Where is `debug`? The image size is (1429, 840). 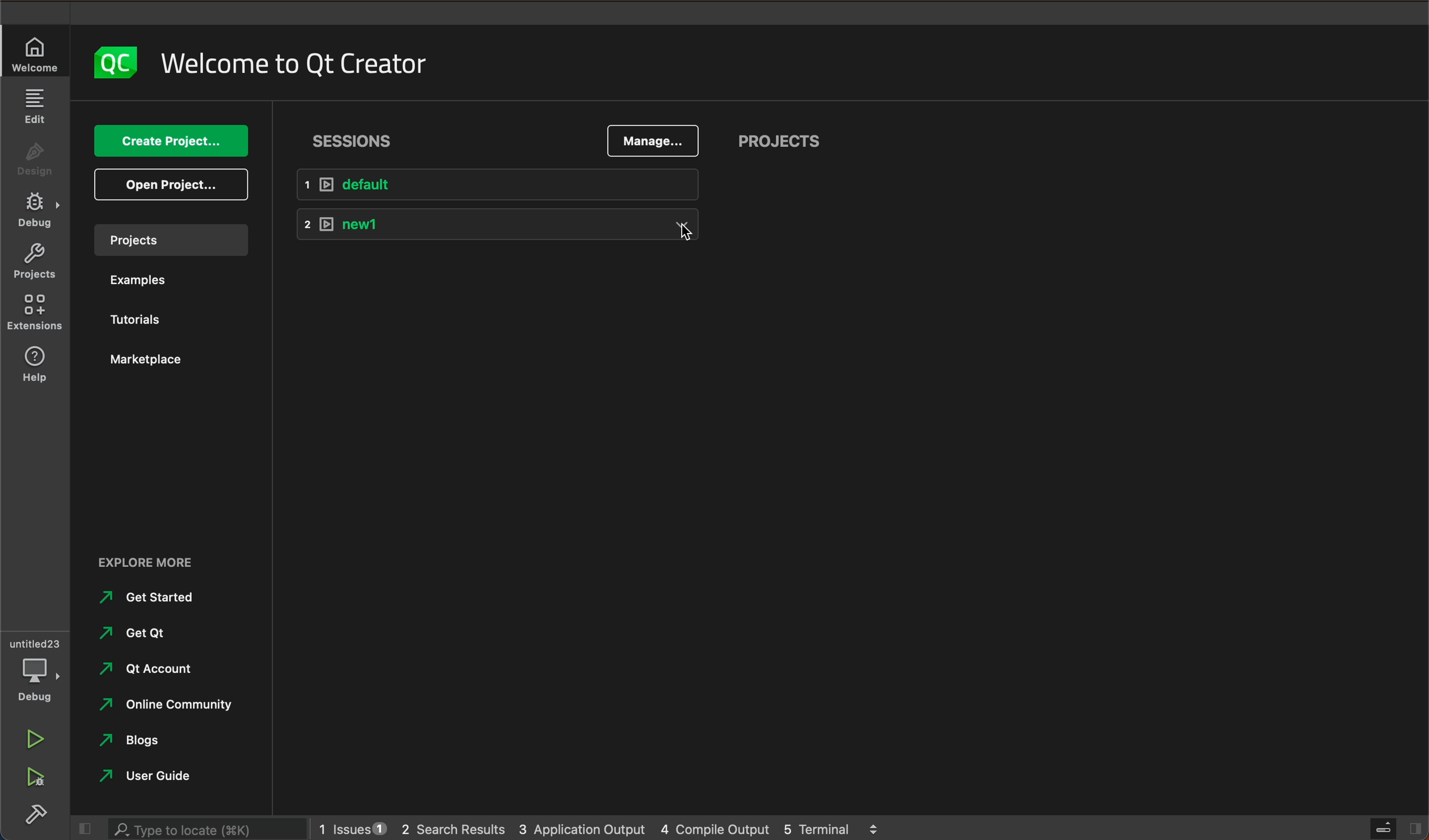 debug is located at coordinates (40, 672).